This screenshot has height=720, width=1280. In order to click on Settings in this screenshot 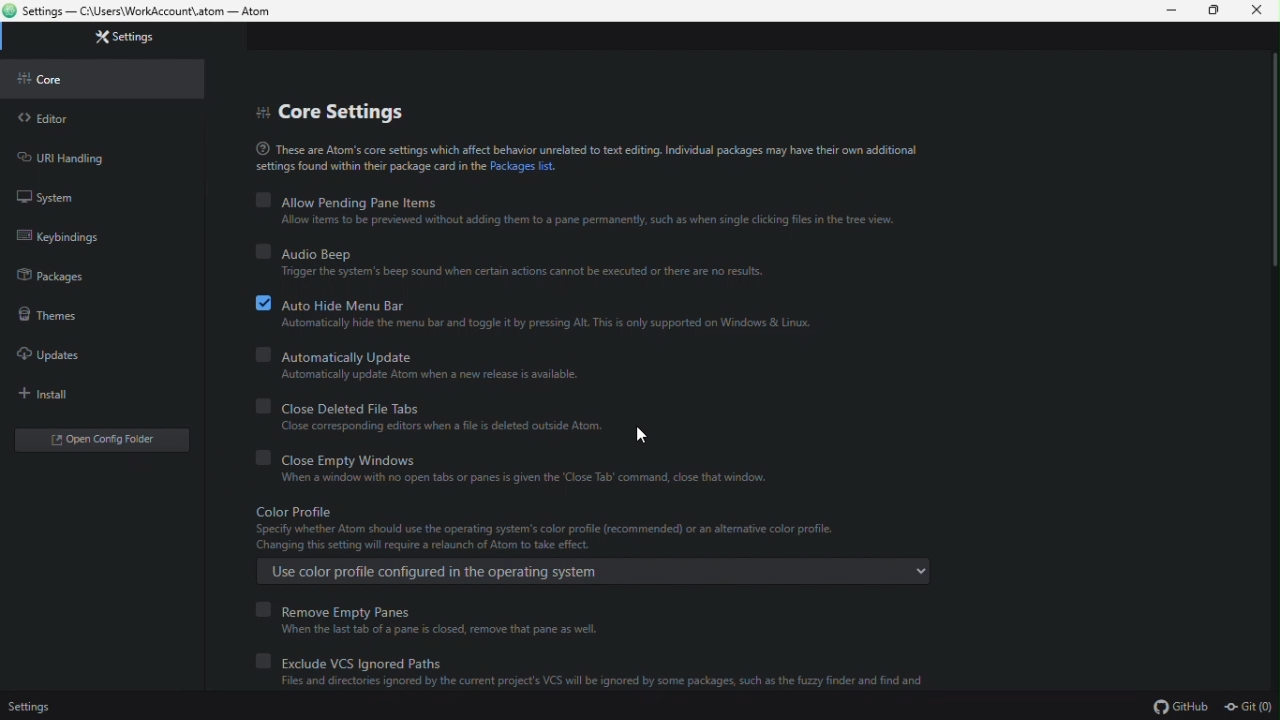, I will do `click(119, 37)`.